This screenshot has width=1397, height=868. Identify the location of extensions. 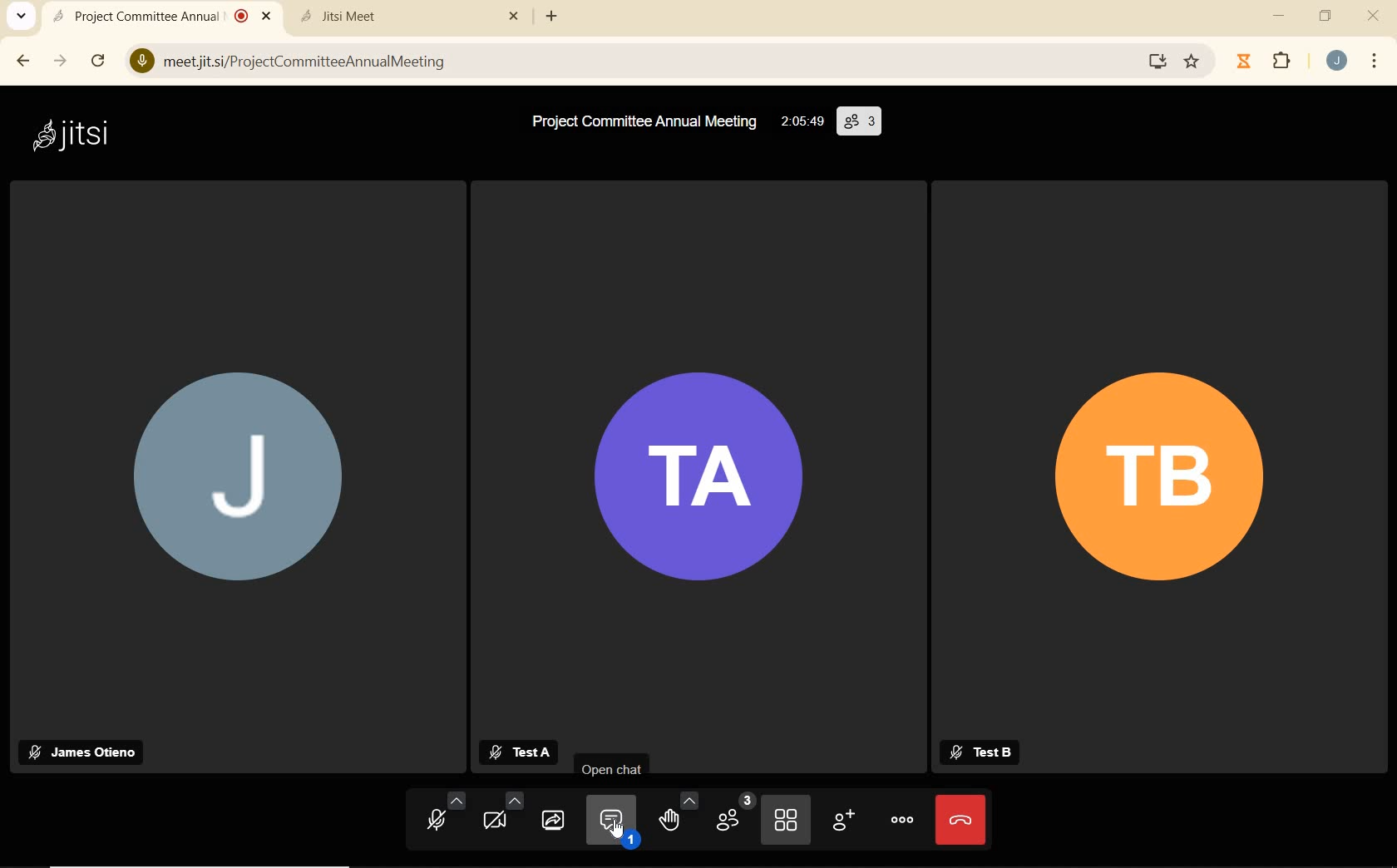
(1278, 61).